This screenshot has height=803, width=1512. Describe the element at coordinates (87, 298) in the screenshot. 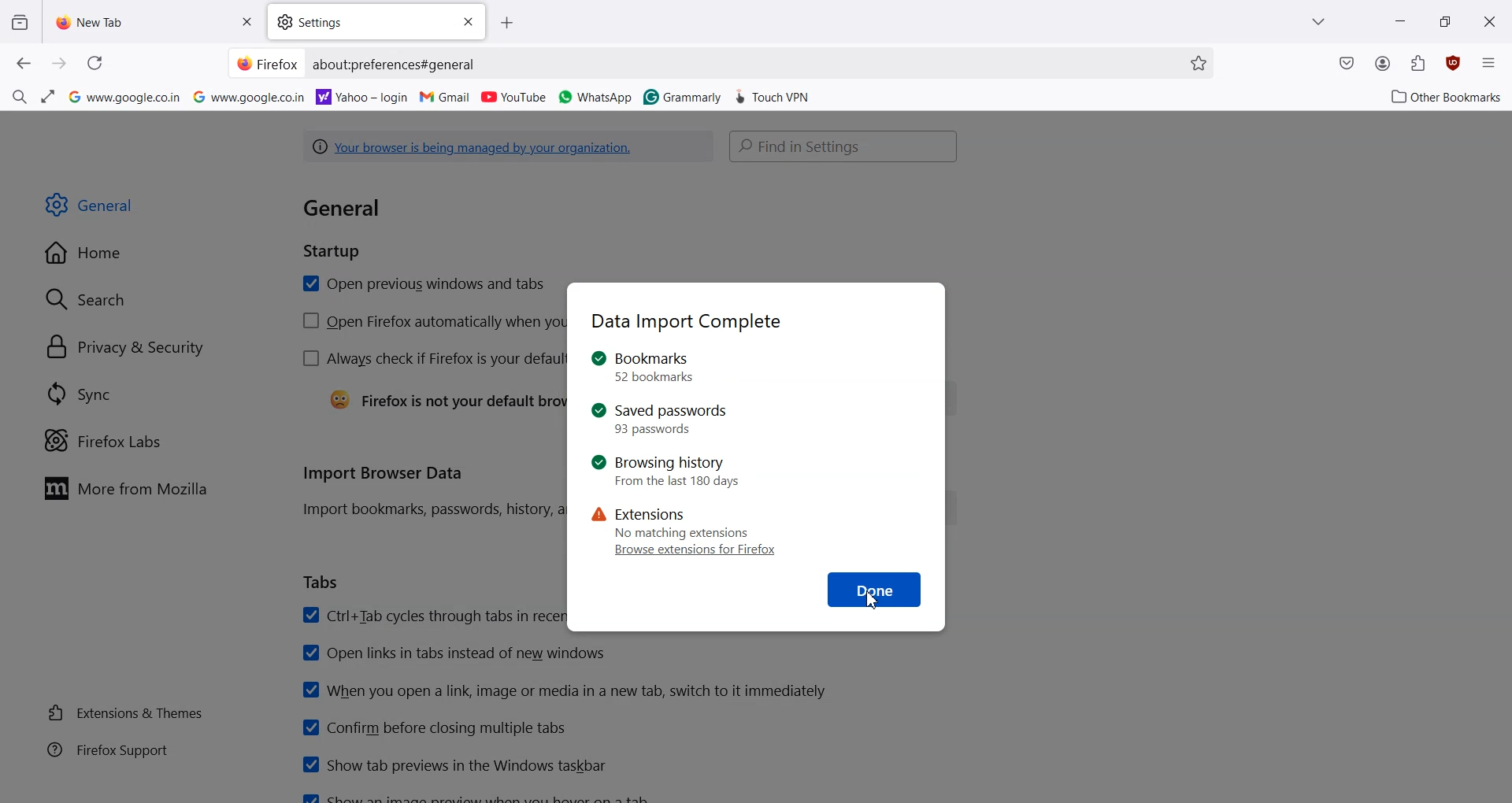

I see `Search` at that location.